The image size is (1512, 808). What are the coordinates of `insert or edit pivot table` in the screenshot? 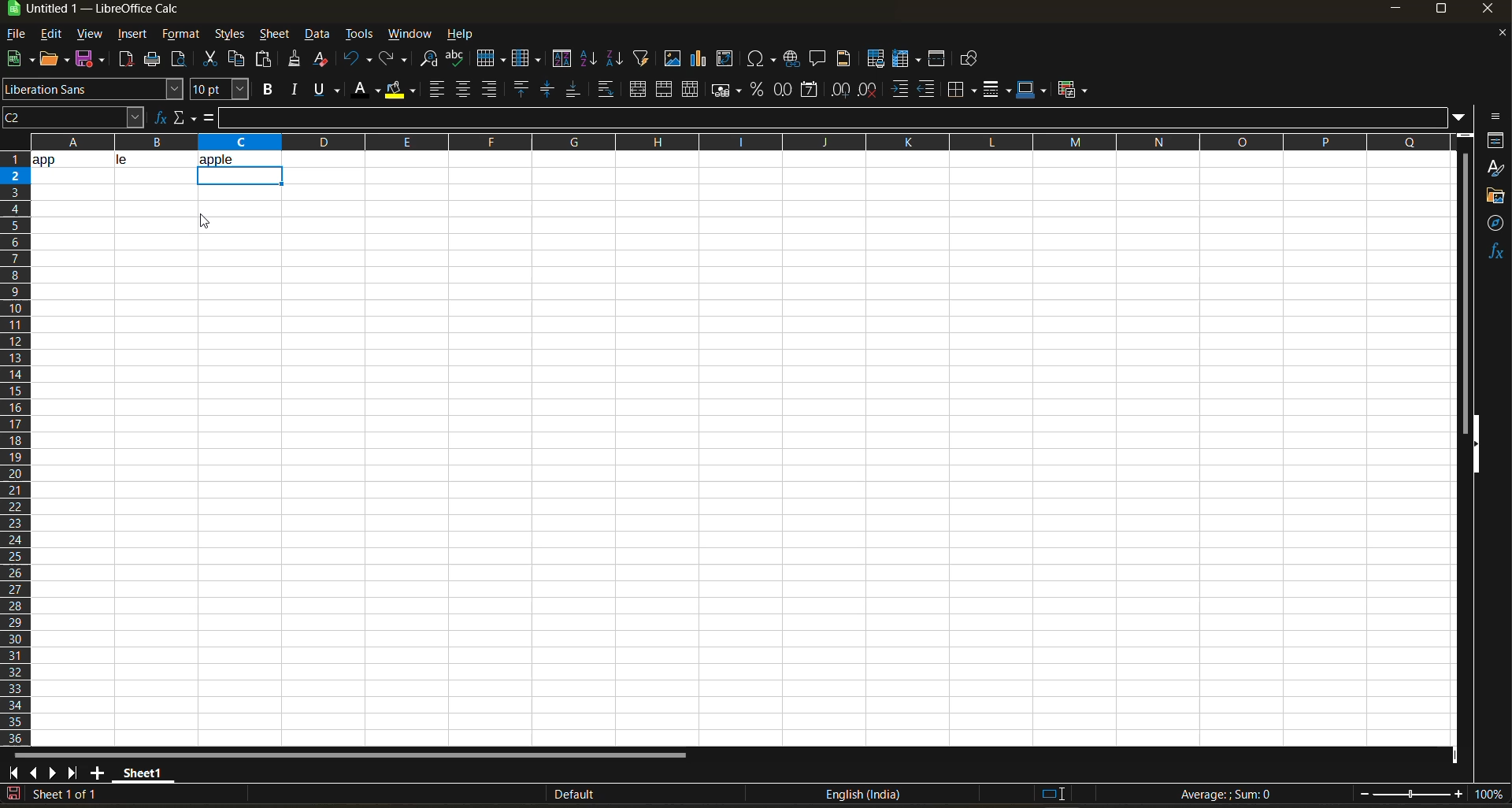 It's located at (726, 60).